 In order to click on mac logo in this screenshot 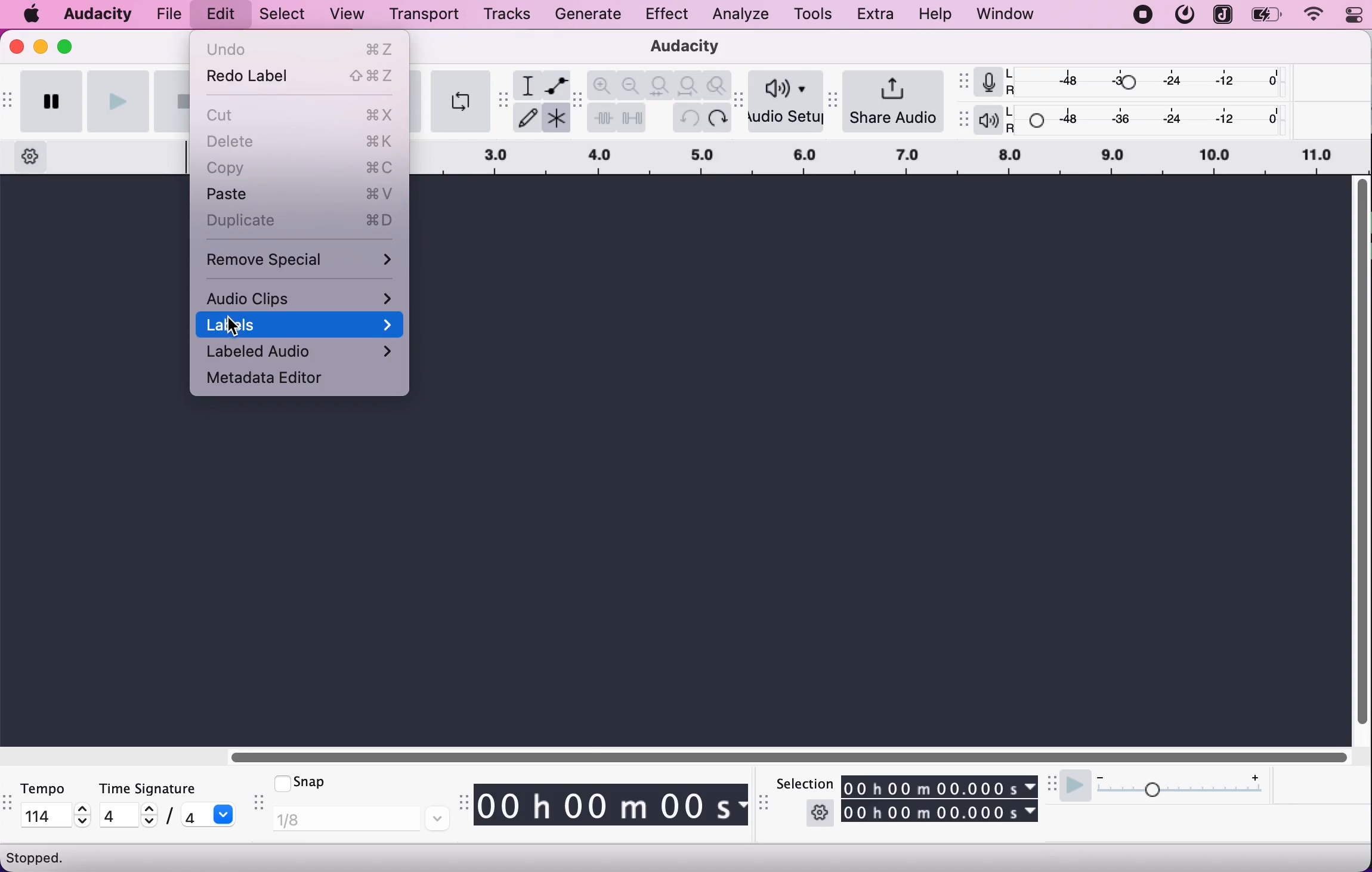, I will do `click(33, 15)`.